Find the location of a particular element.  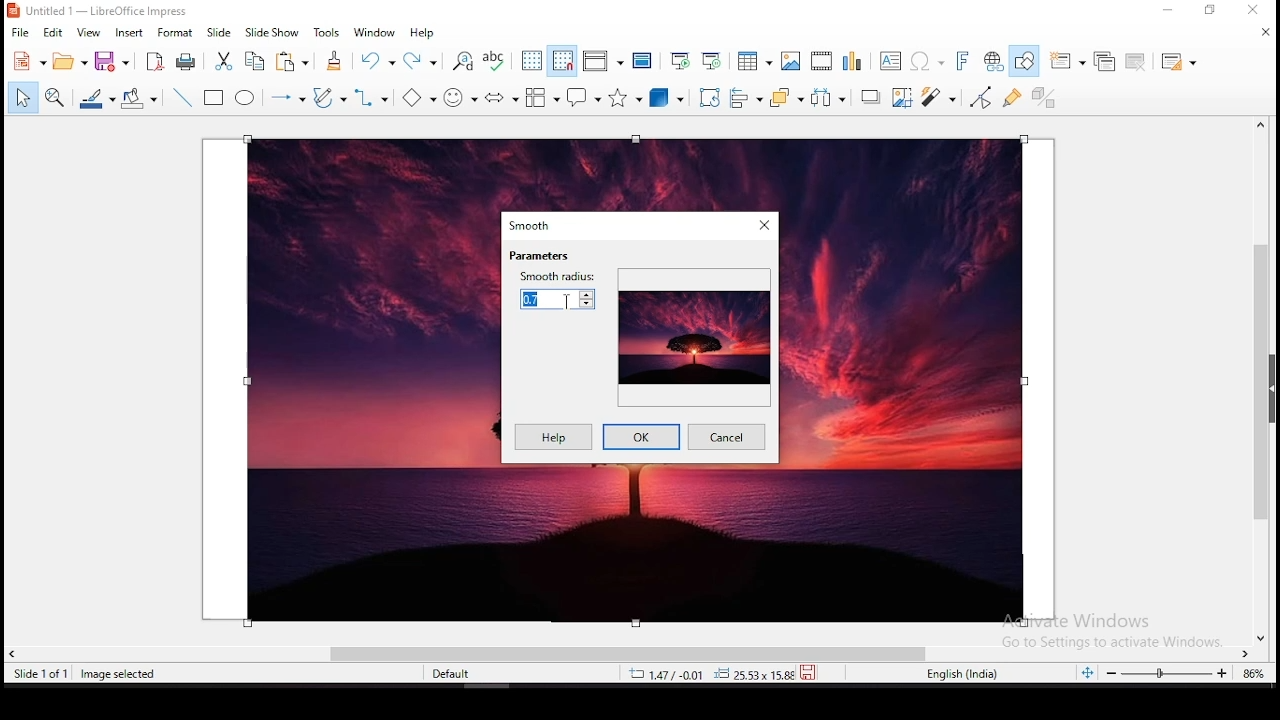

save is located at coordinates (112, 60).